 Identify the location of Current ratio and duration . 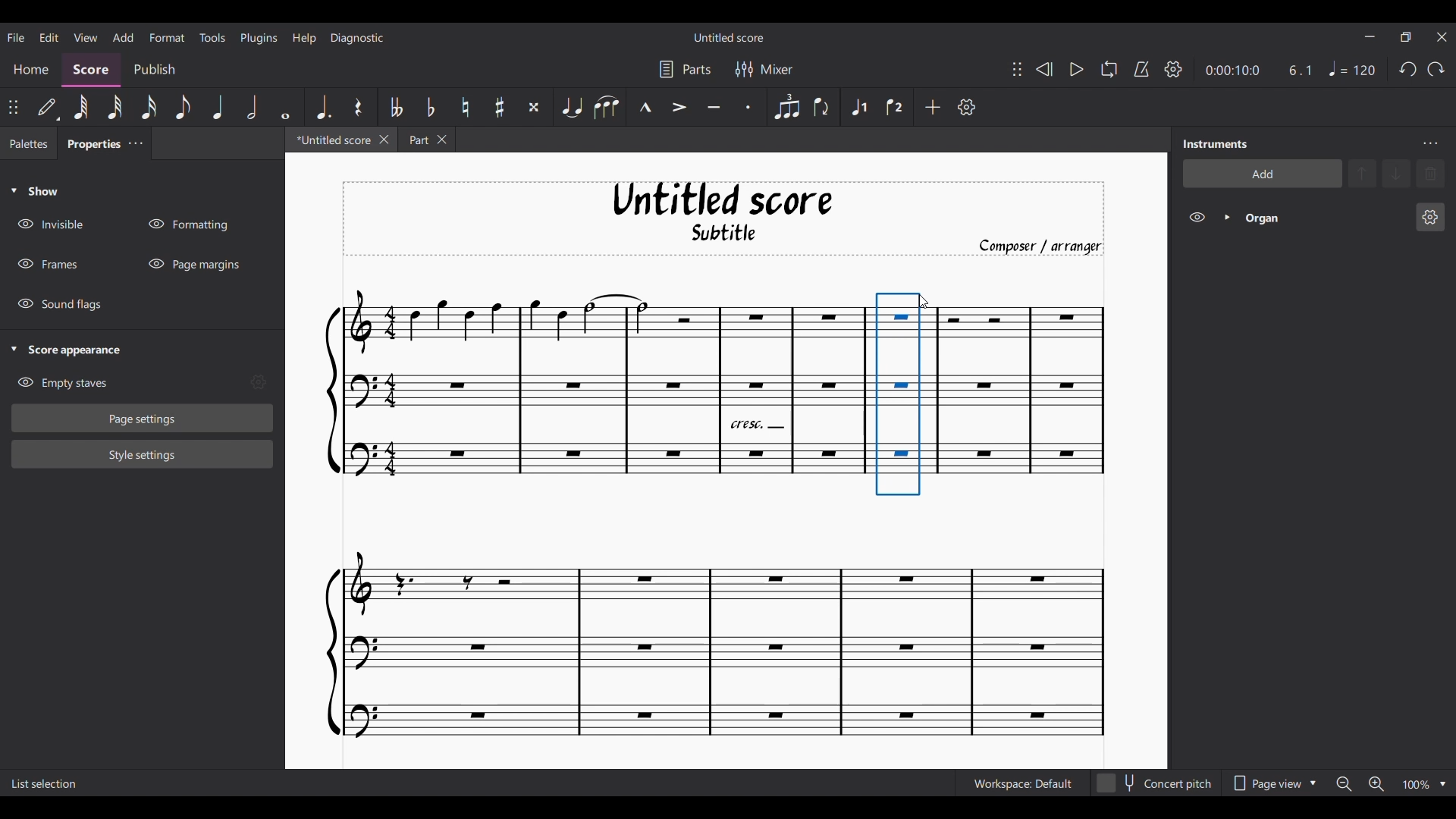
(1260, 71).